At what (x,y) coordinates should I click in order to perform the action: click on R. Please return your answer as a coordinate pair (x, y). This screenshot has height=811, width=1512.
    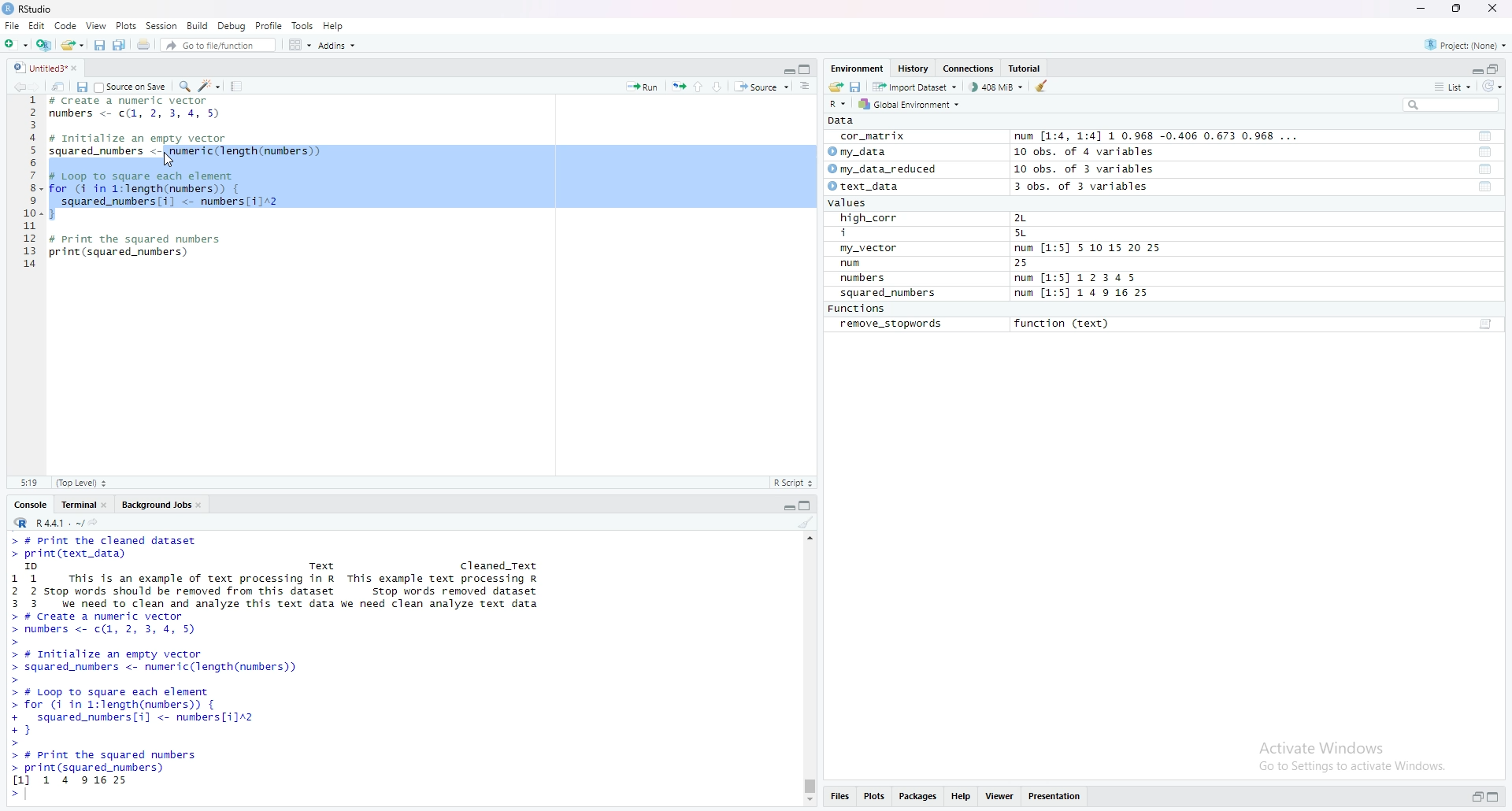
    Looking at the image, I should click on (839, 103).